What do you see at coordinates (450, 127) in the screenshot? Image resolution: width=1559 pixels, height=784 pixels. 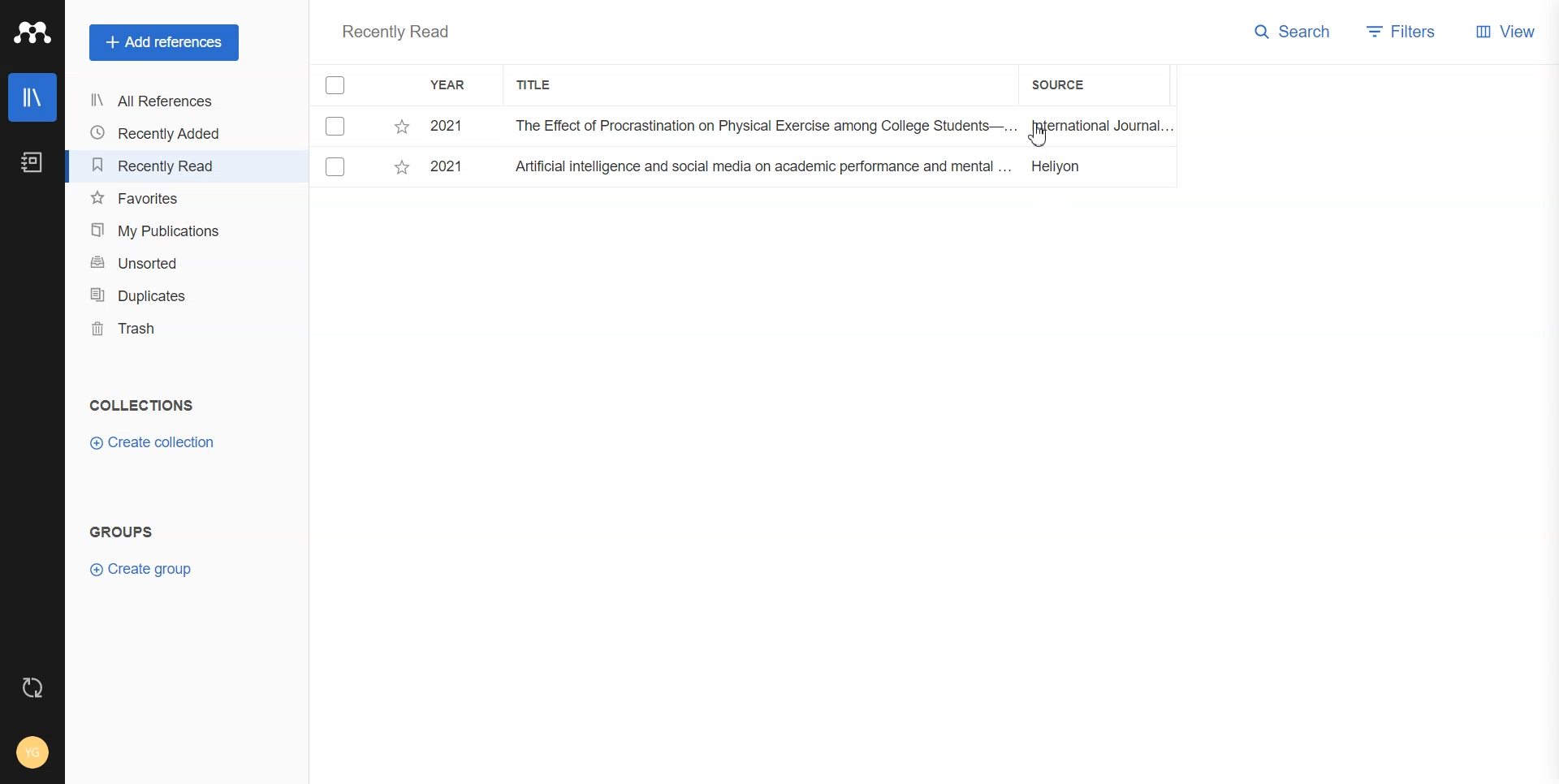 I see `2021` at bounding box center [450, 127].